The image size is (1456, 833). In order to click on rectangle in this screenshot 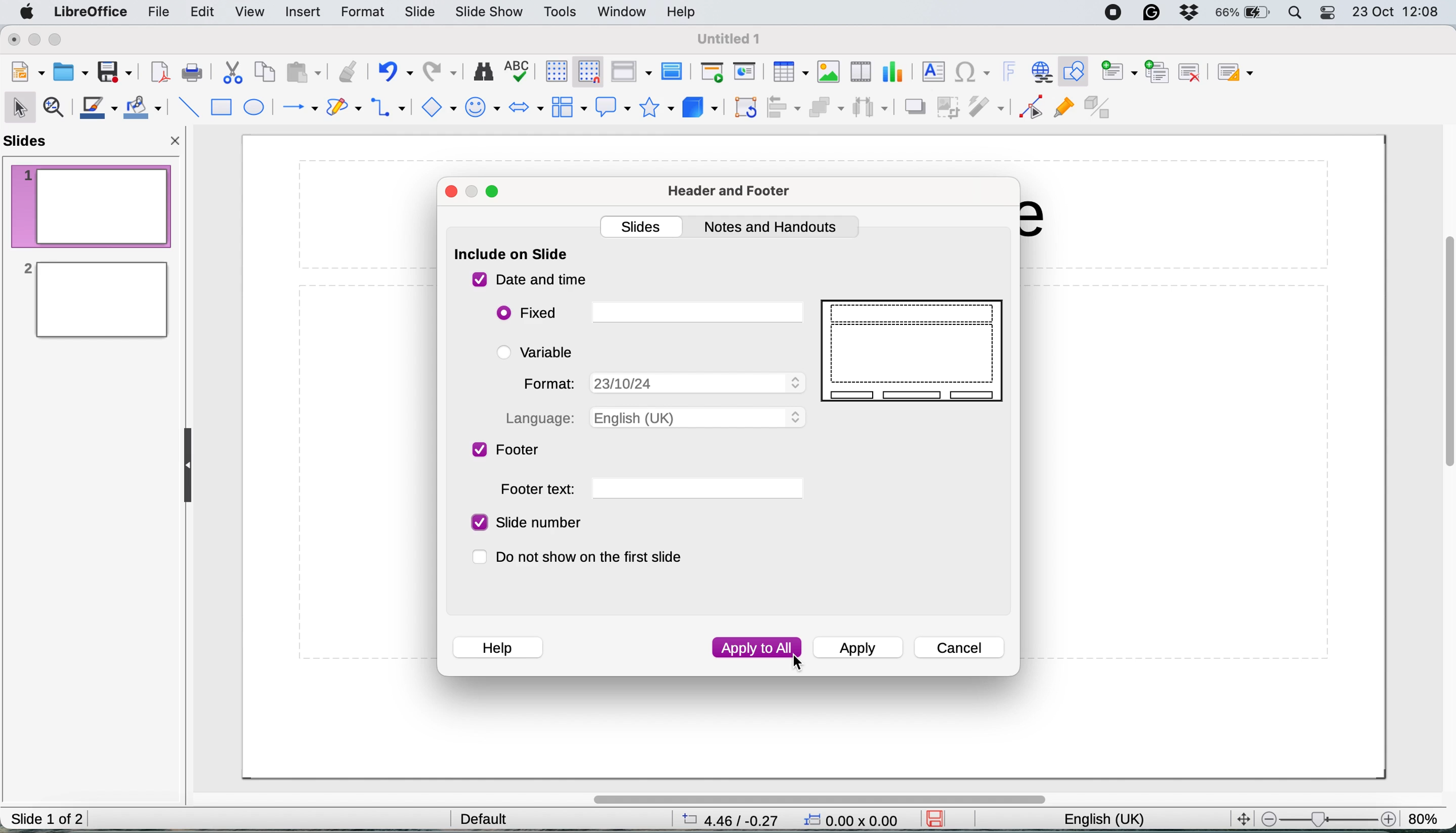, I will do `click(221, 109)`.